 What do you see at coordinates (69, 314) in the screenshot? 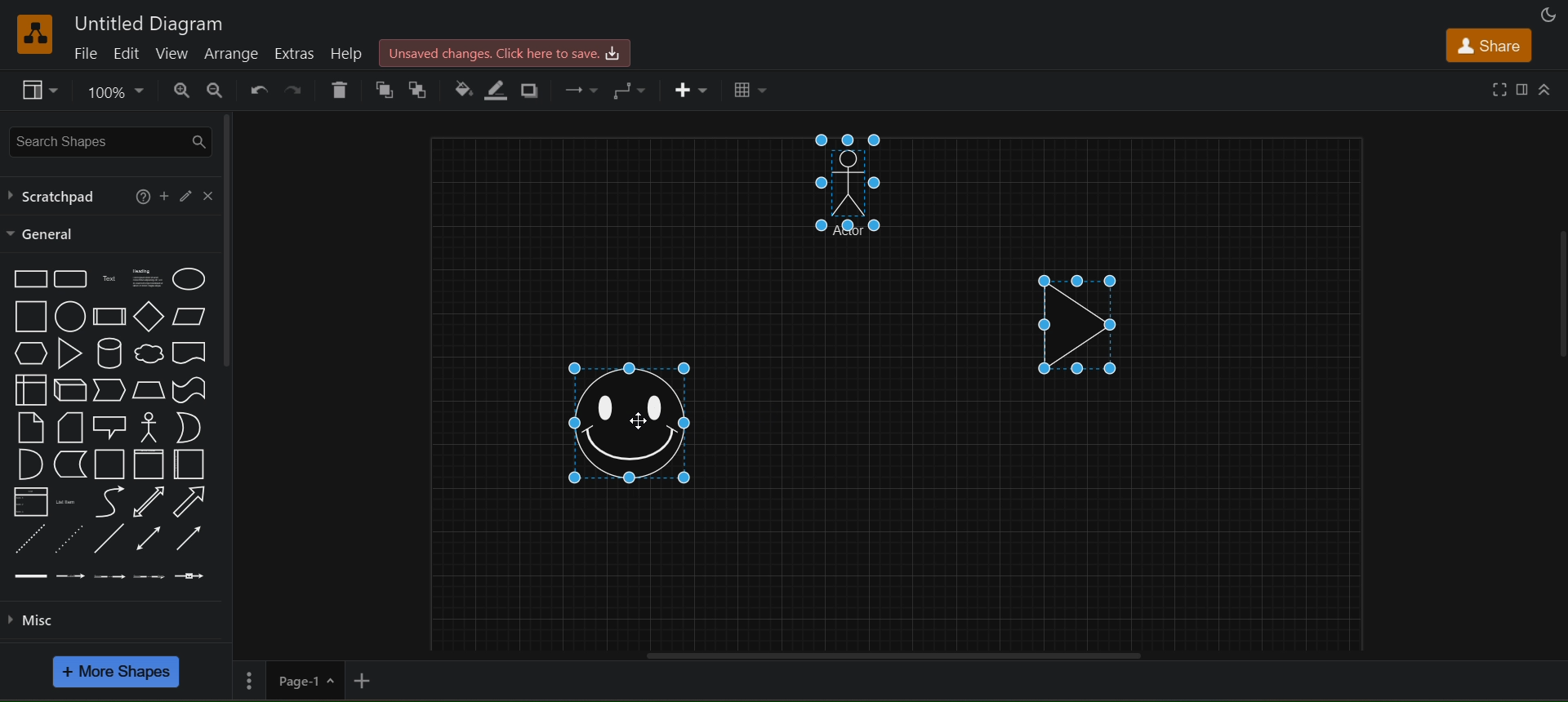
I see `circle` at bounding box center [69, 314].